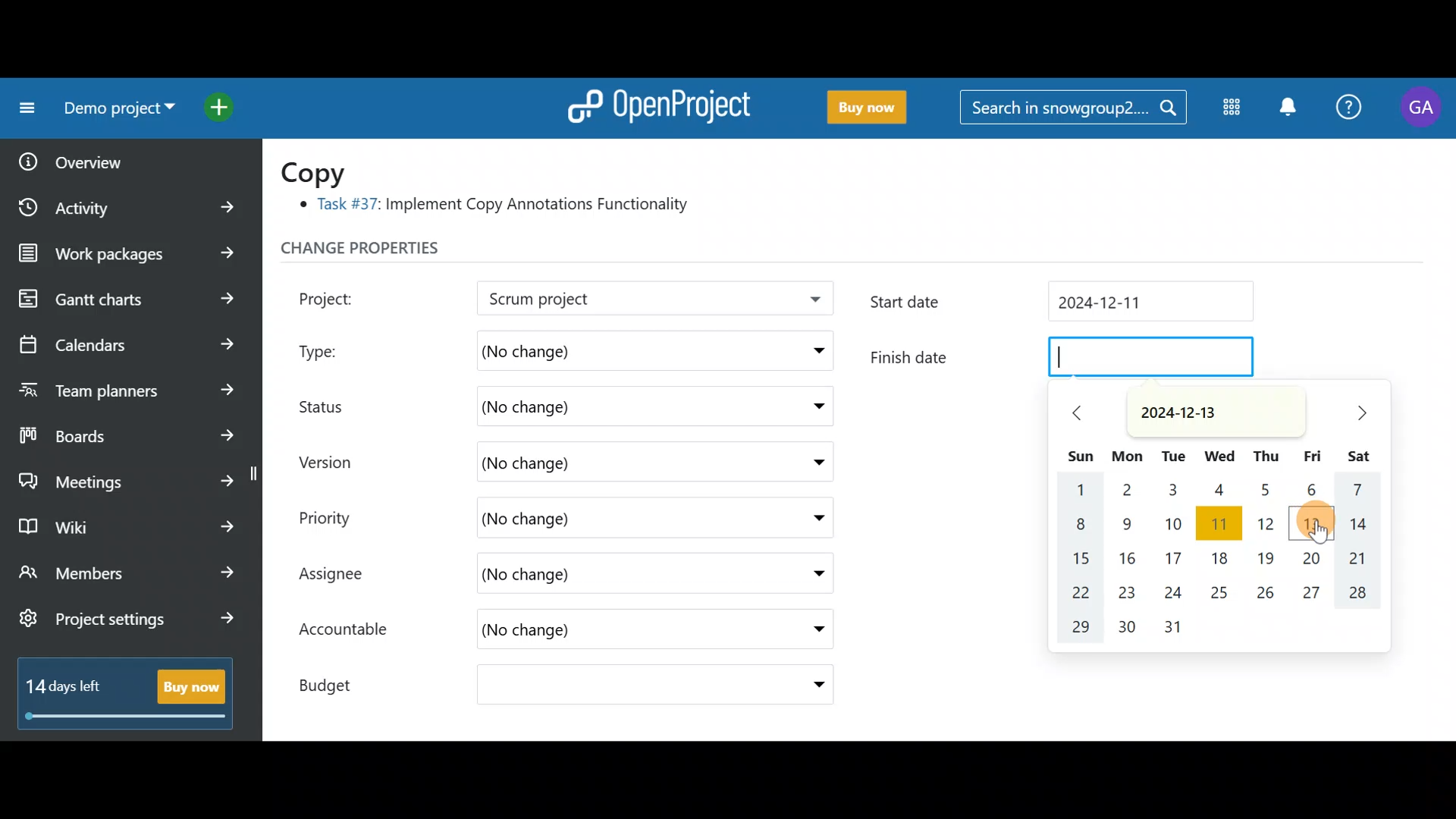 This screenshot has height=819, width=1456. I want to click on Members, so click(127, 575).